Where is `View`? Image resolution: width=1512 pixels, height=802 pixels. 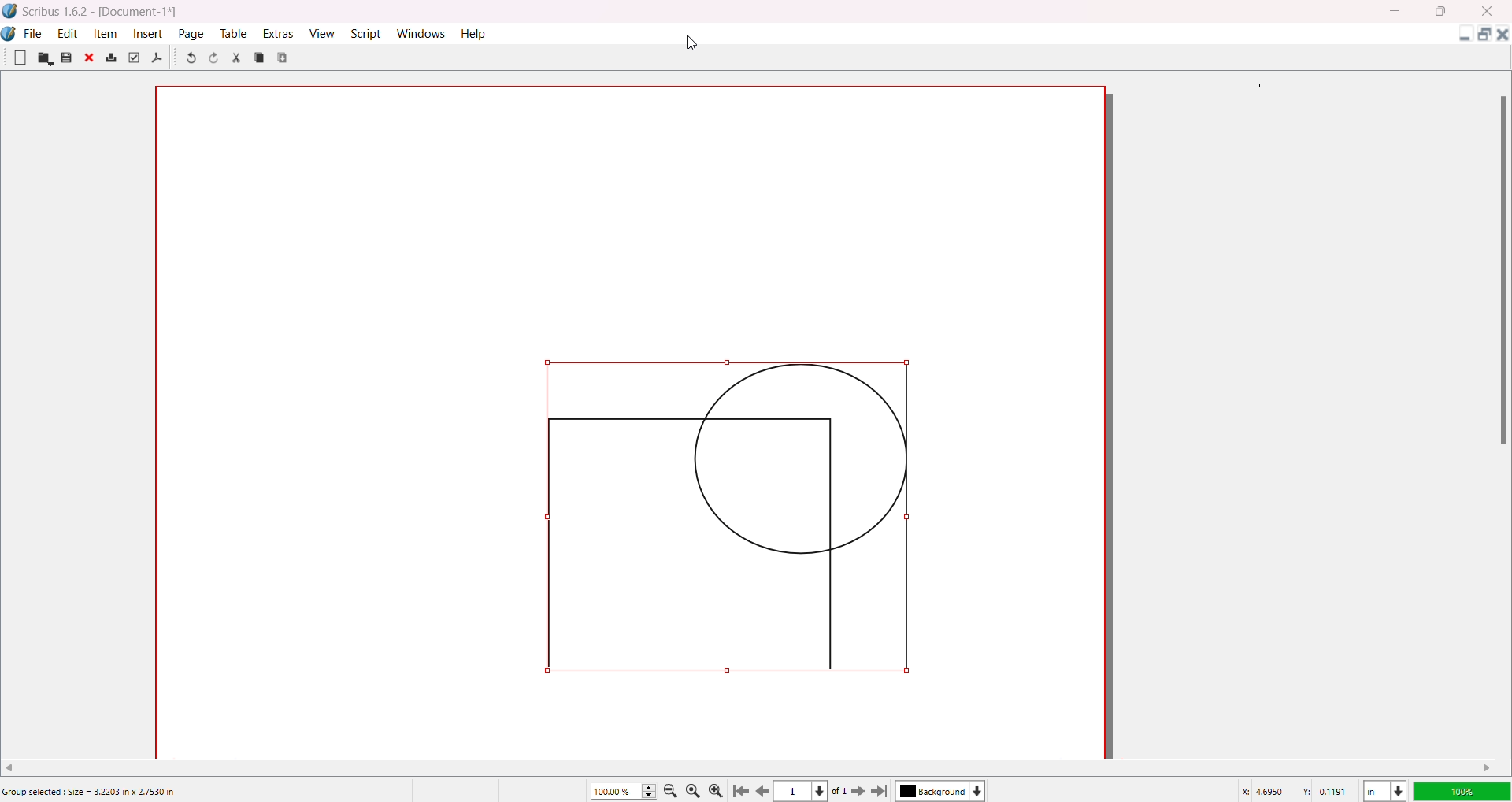 View is located at coordinates (321, 32).